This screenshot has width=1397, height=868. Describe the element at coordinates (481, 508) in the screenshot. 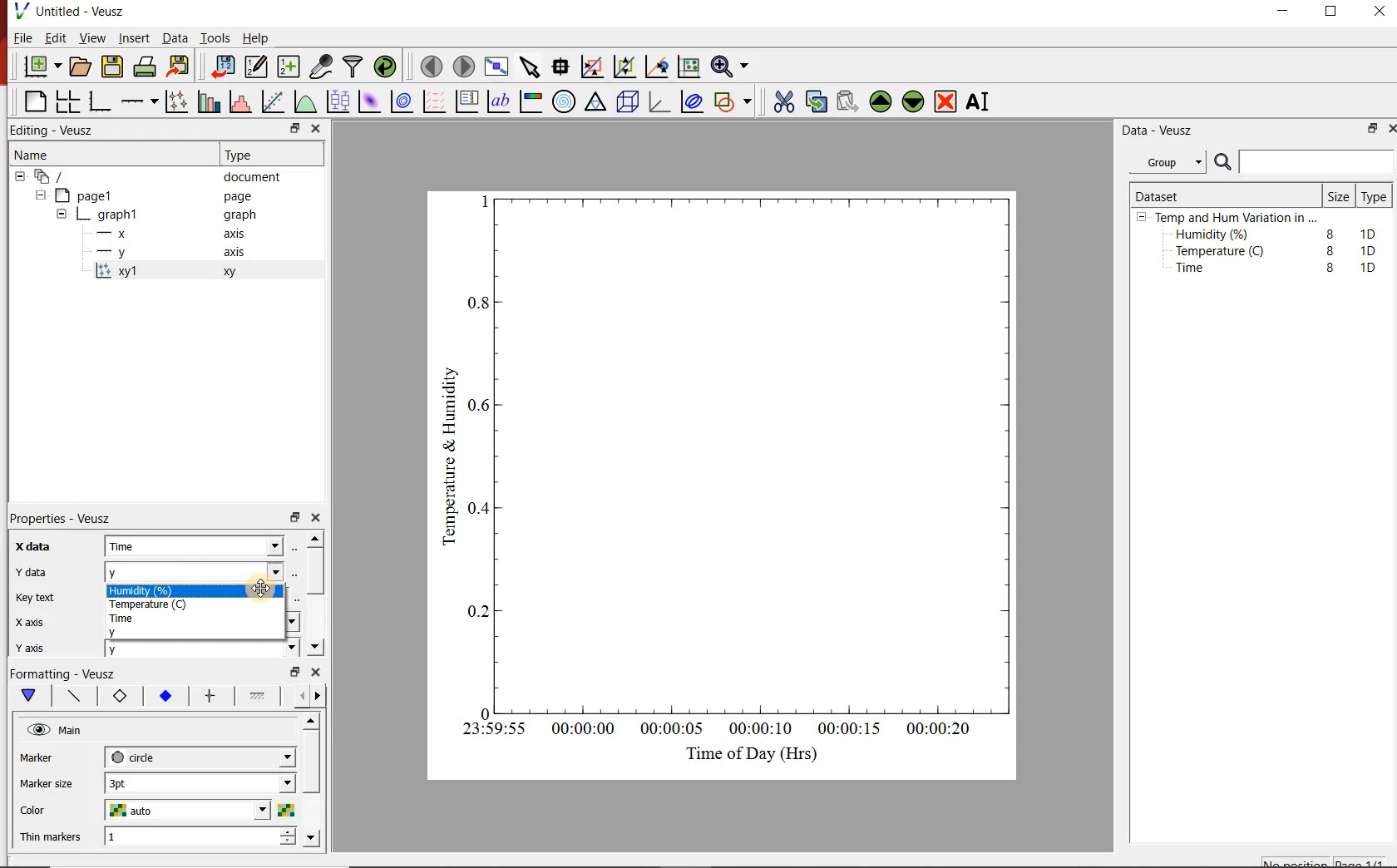

I see `0.4` at that location.